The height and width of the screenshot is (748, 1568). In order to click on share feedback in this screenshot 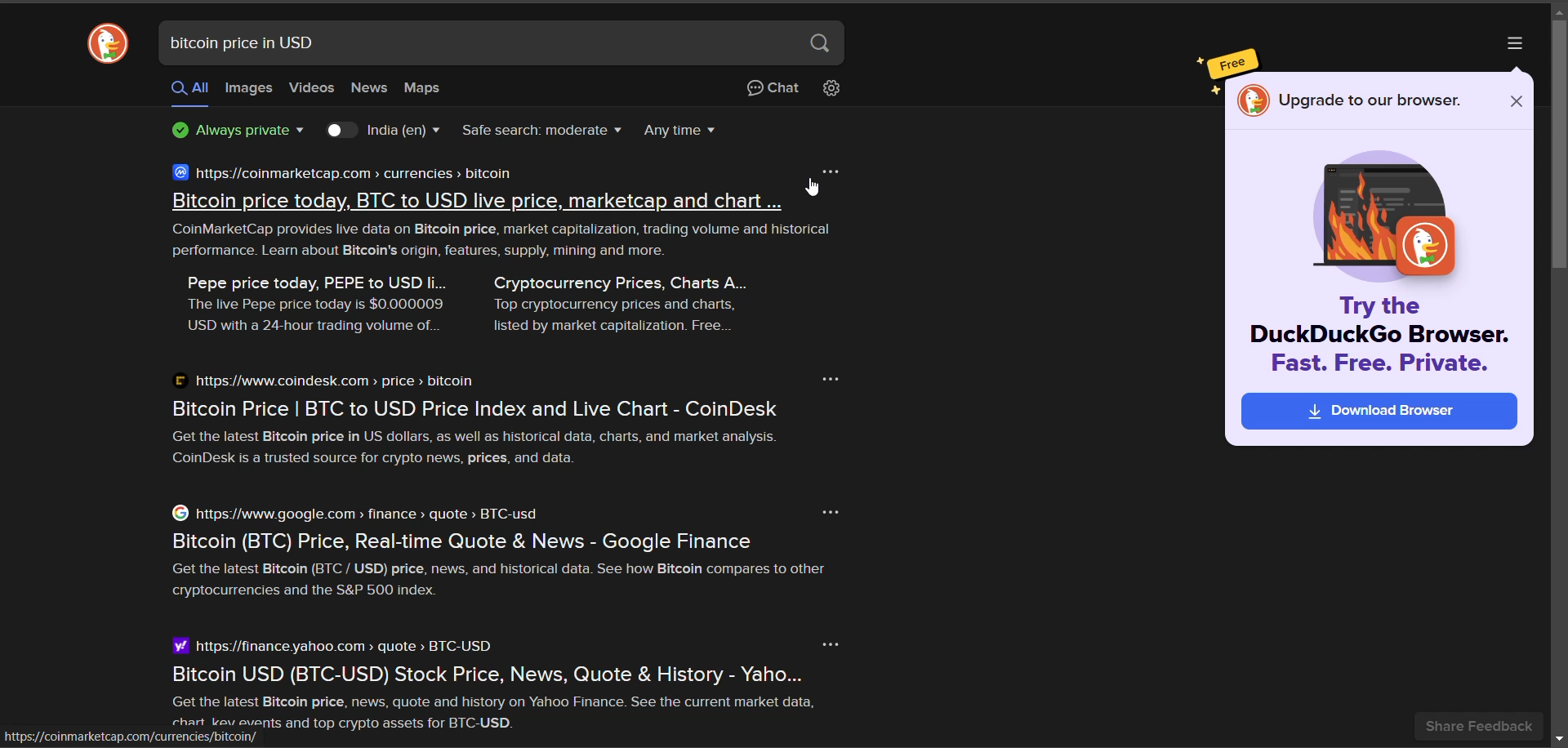, I will do `click(1481, 726)`.